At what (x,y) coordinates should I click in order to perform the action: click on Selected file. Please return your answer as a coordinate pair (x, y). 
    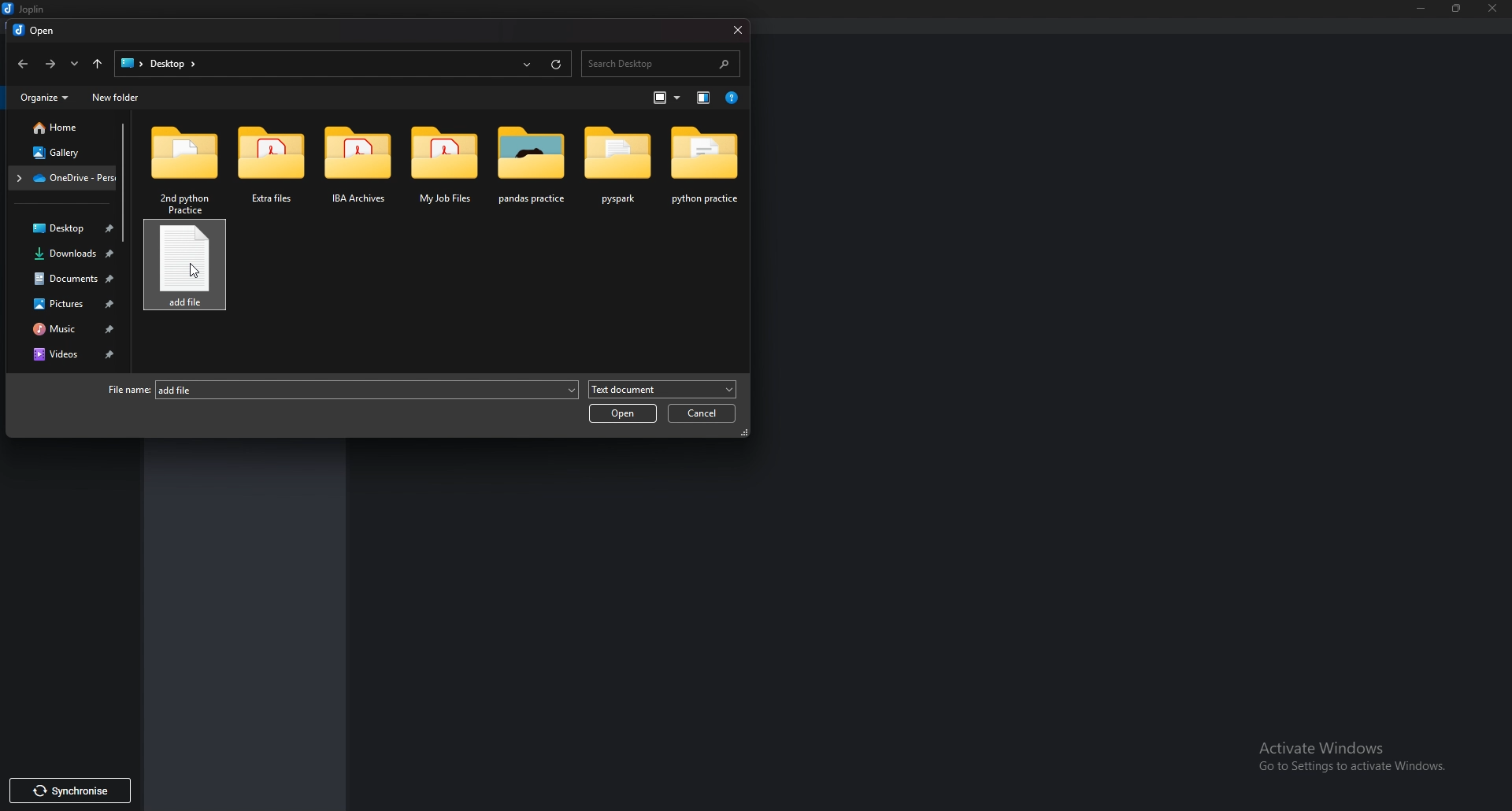
    Looking at the image, I should click on (190, 271).